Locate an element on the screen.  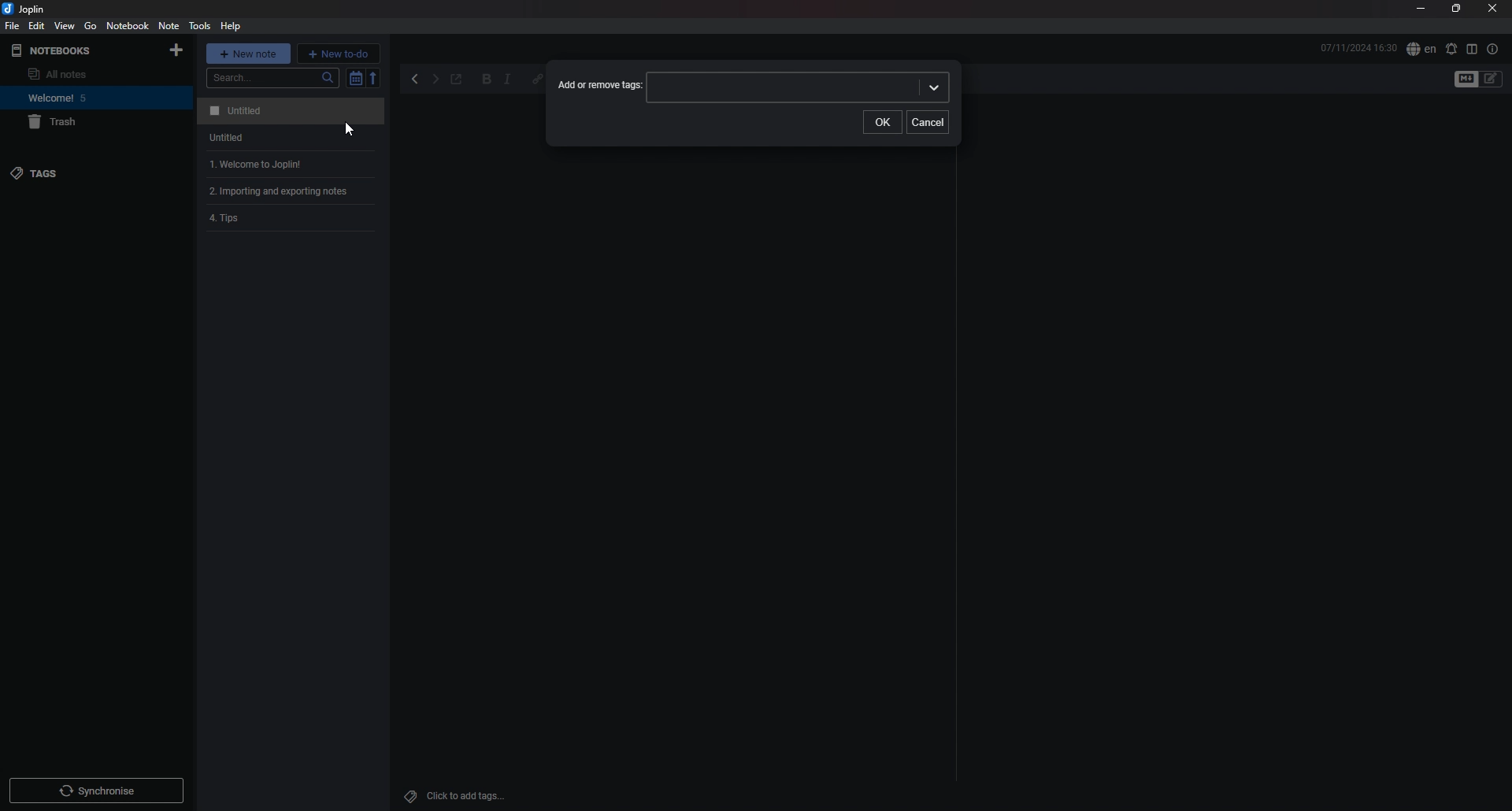
edit is located at coordinates (35, 25).